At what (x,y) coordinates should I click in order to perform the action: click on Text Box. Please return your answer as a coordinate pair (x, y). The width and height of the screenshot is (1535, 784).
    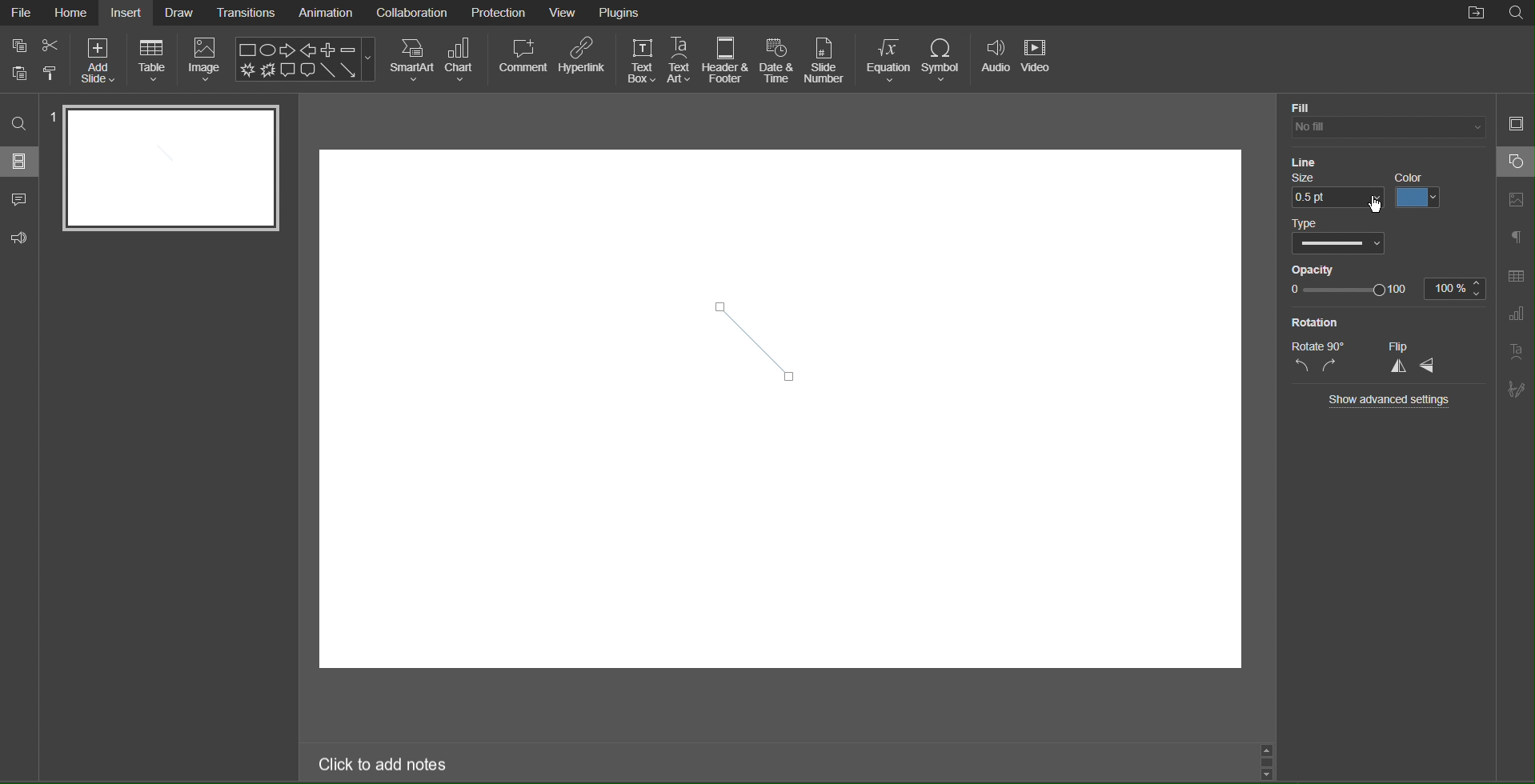
    Looking at the image, I should click on (639, 59).